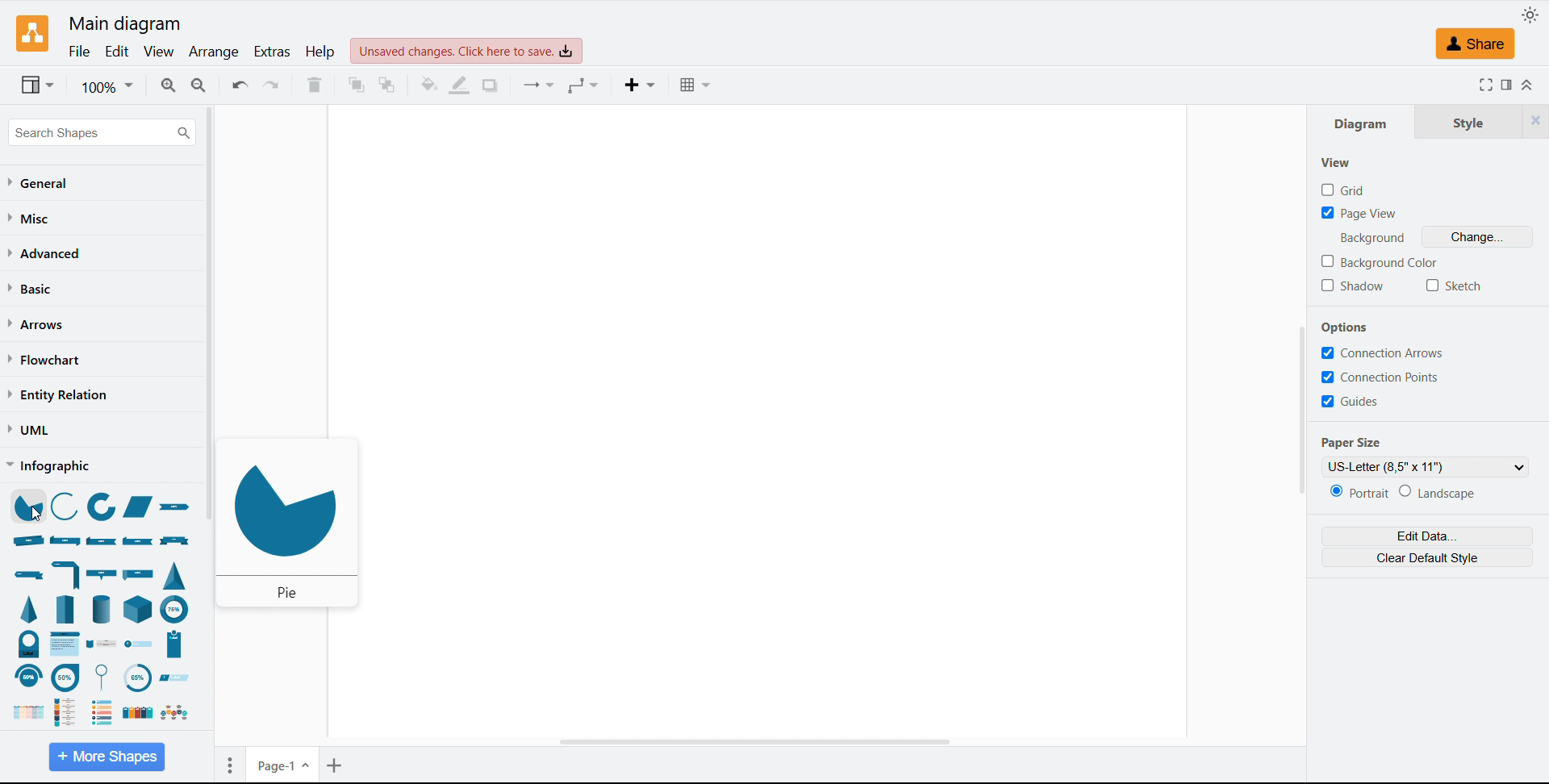 Image resolution: width=1549 pixels, height=784 pixels. Describe the element at coordinates (110, 755) in the screenshot. I see `More shapes ` at that location.